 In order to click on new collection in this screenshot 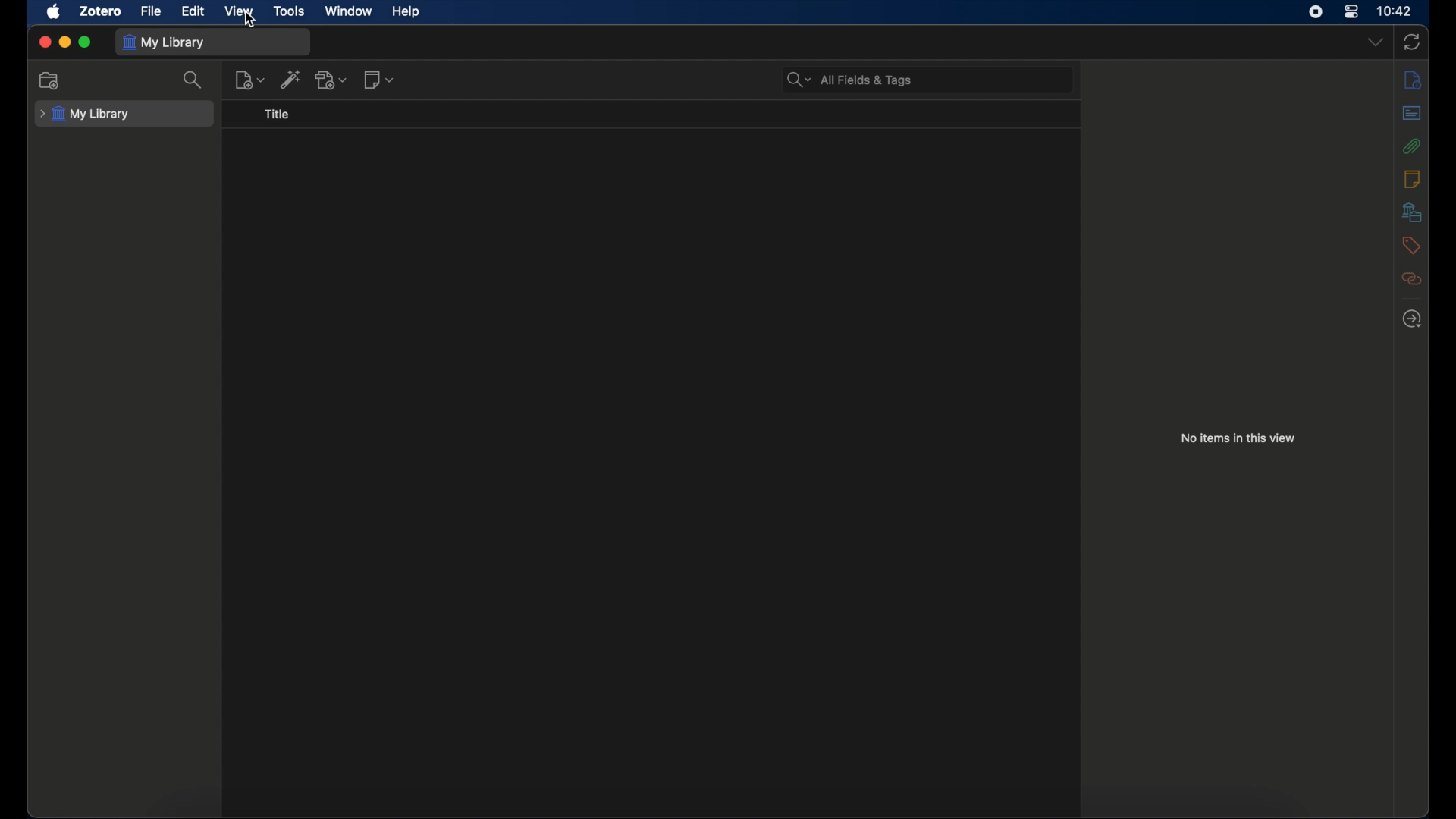, I will do `click(49, 80)`.